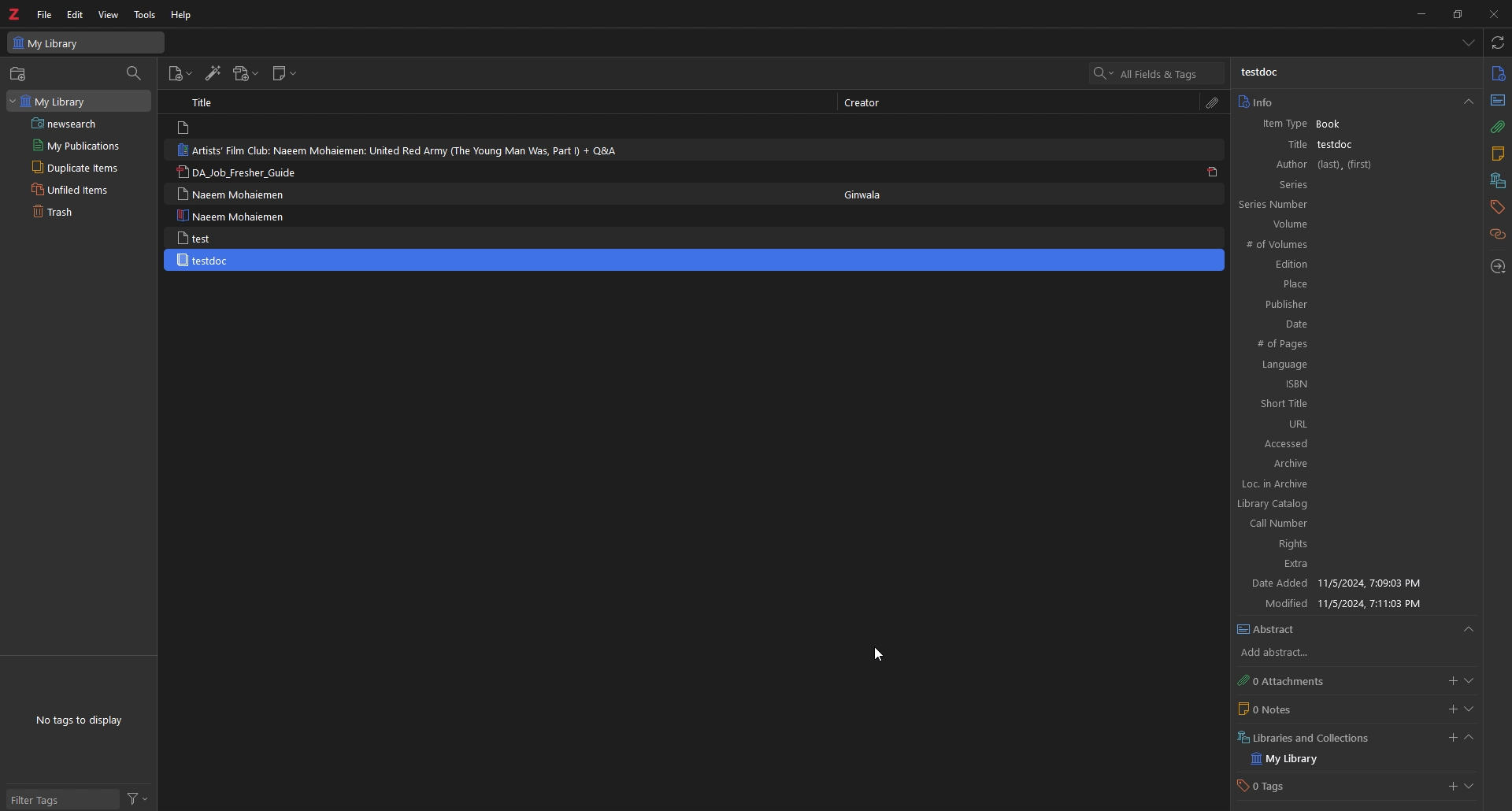 This screenshot has width=1512, height=811. What do you see at coordinates (70, 213) in the screenshot?
I see `trash` at bounding box center [70, 213].